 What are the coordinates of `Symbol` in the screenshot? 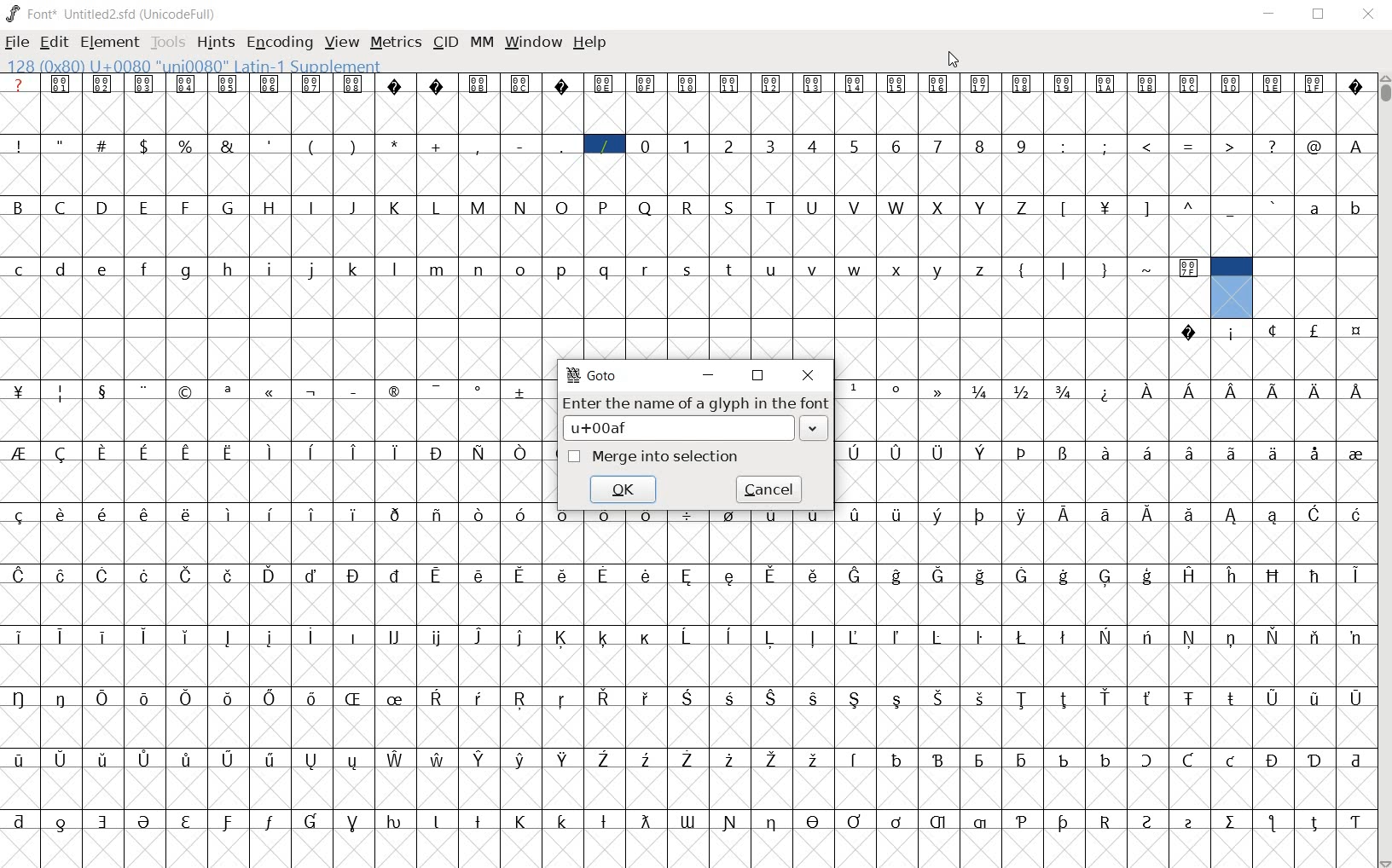 It's located at (1022, 83).